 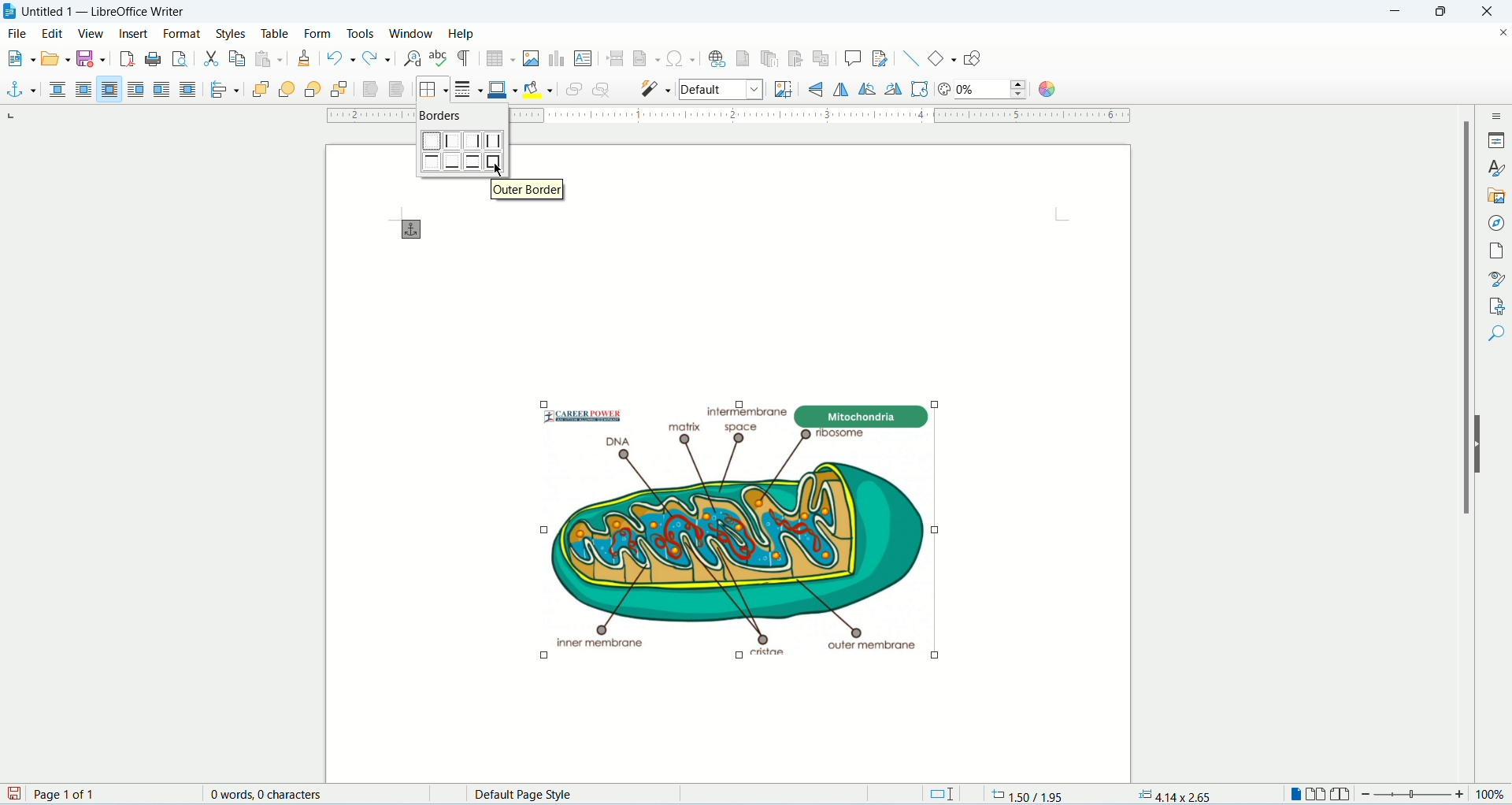 What do you see at coordinates (55, 57) in the screenshot?
I see `open` at bounding box center [55, 57].